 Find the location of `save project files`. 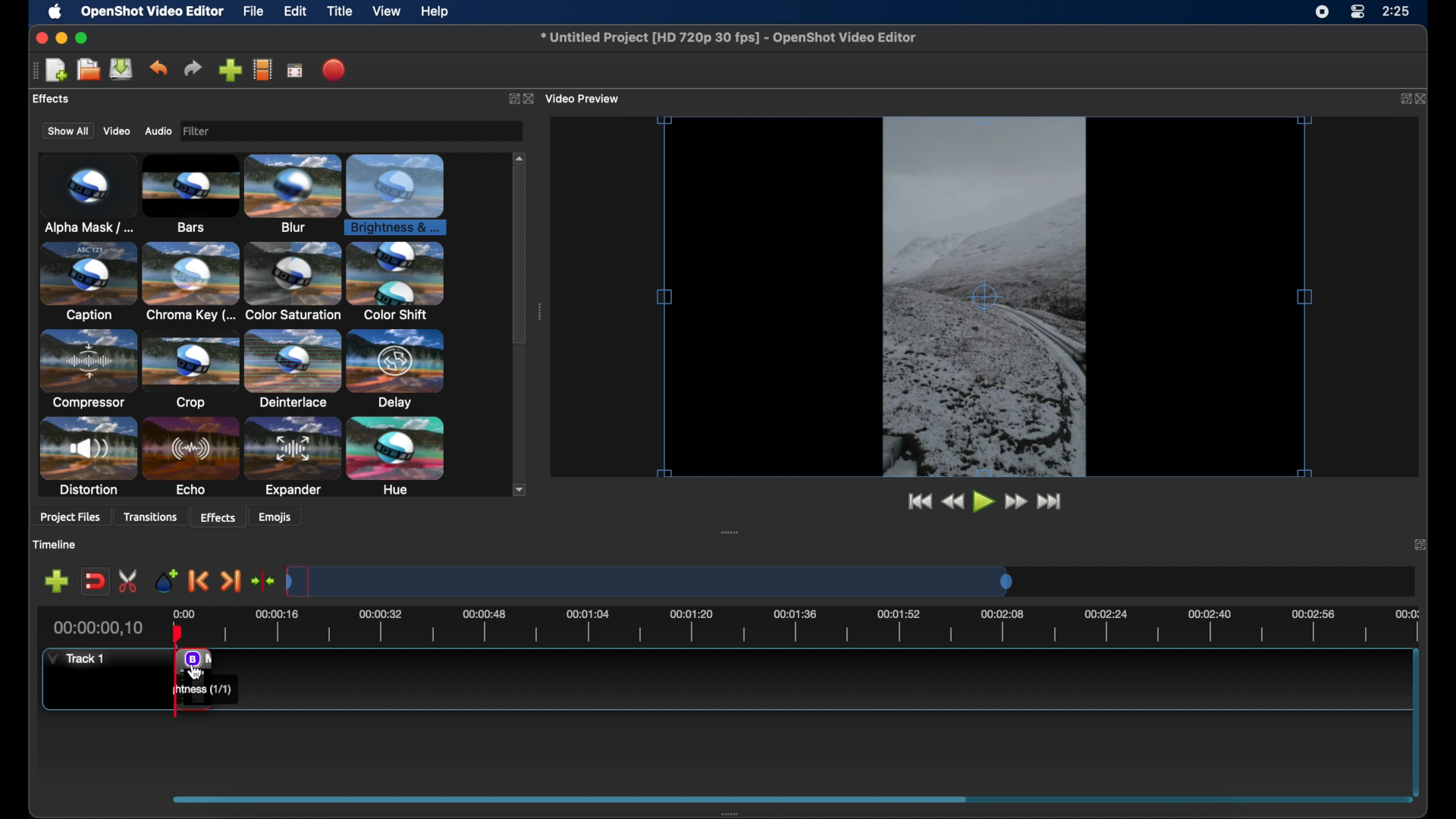

save project files is located at coordinates (121, 69).